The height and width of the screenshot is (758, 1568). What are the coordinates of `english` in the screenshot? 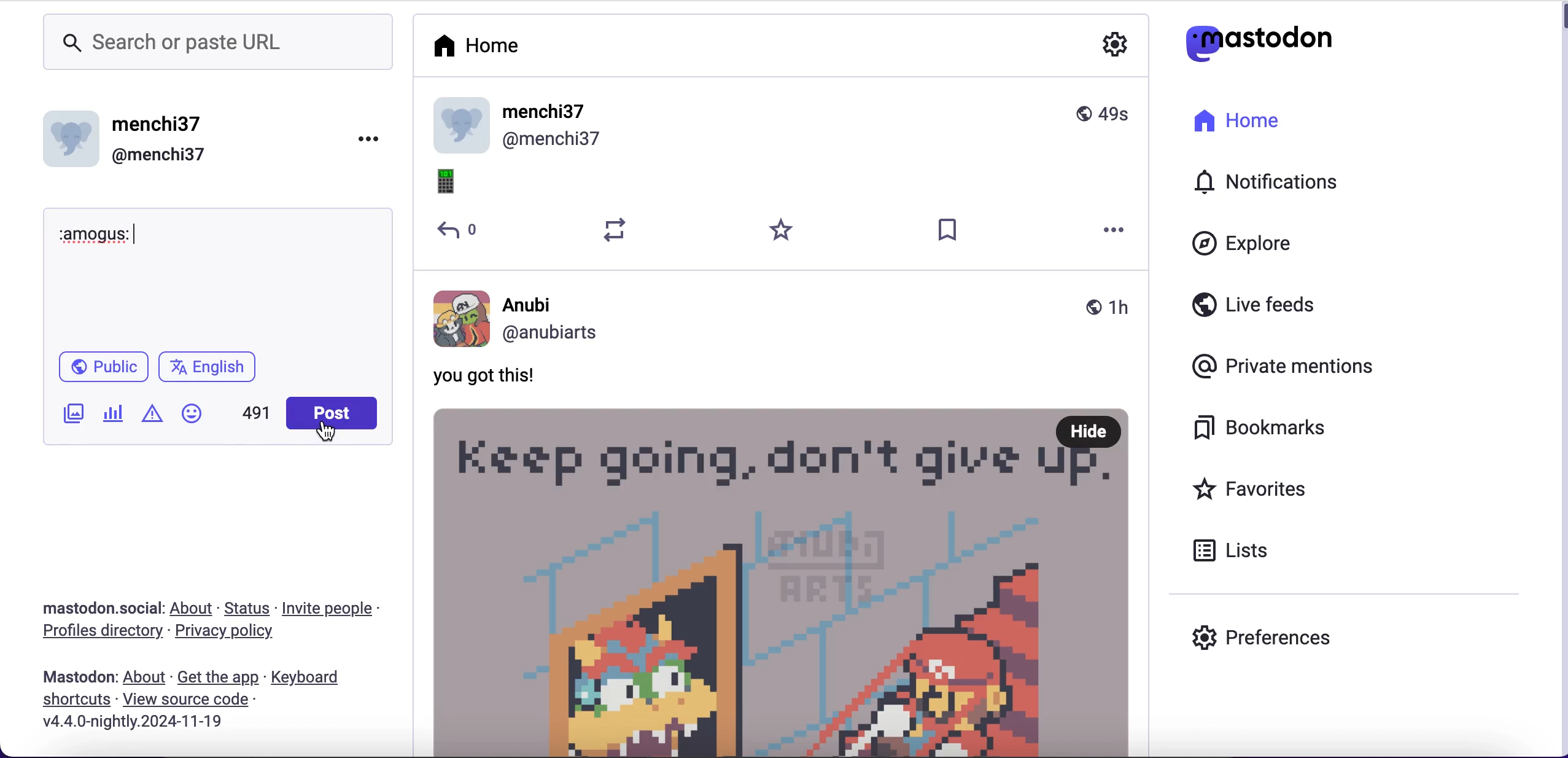 It's located at (217, 368).